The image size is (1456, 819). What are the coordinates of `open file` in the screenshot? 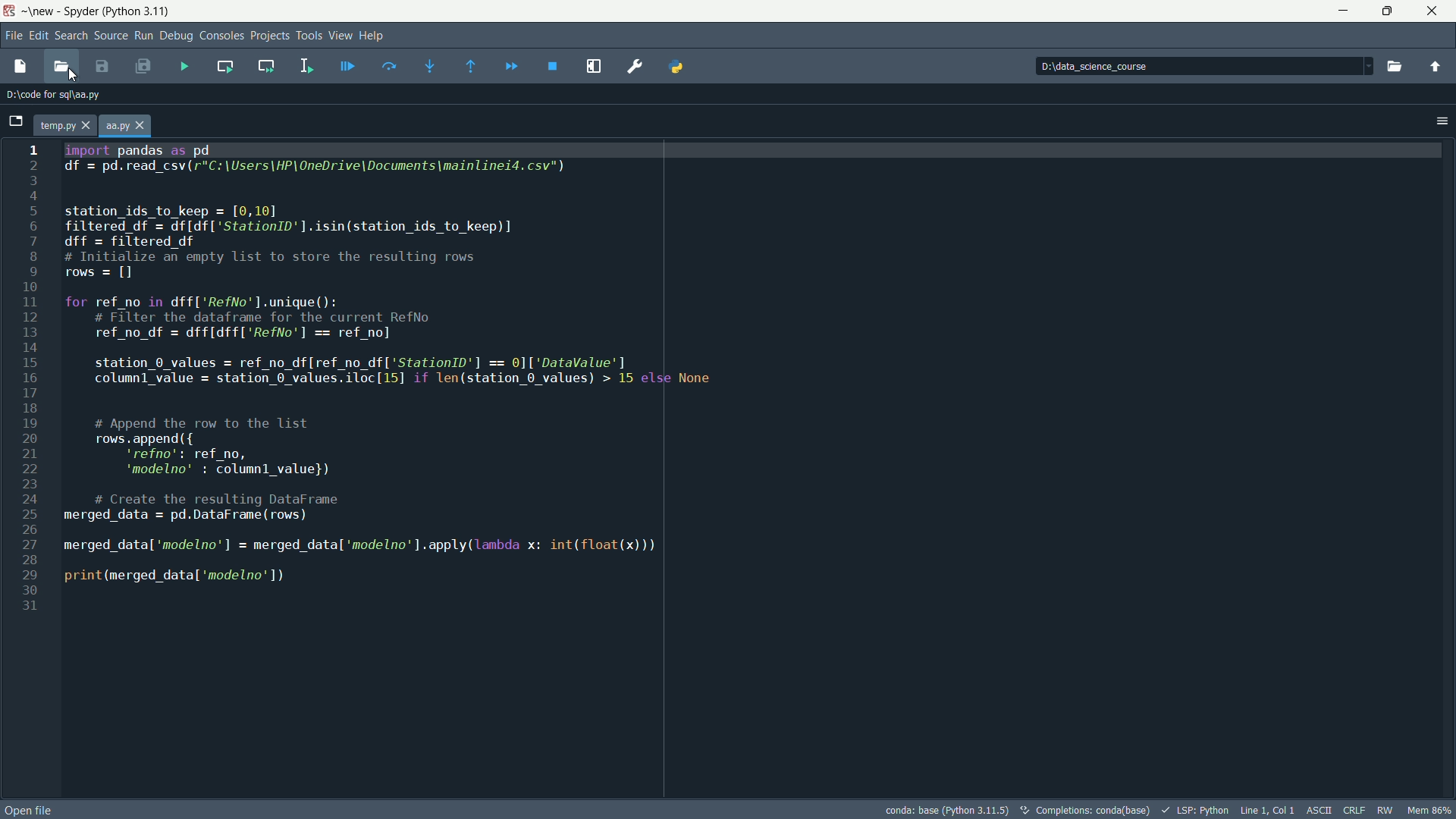 It's located at (29, 810).